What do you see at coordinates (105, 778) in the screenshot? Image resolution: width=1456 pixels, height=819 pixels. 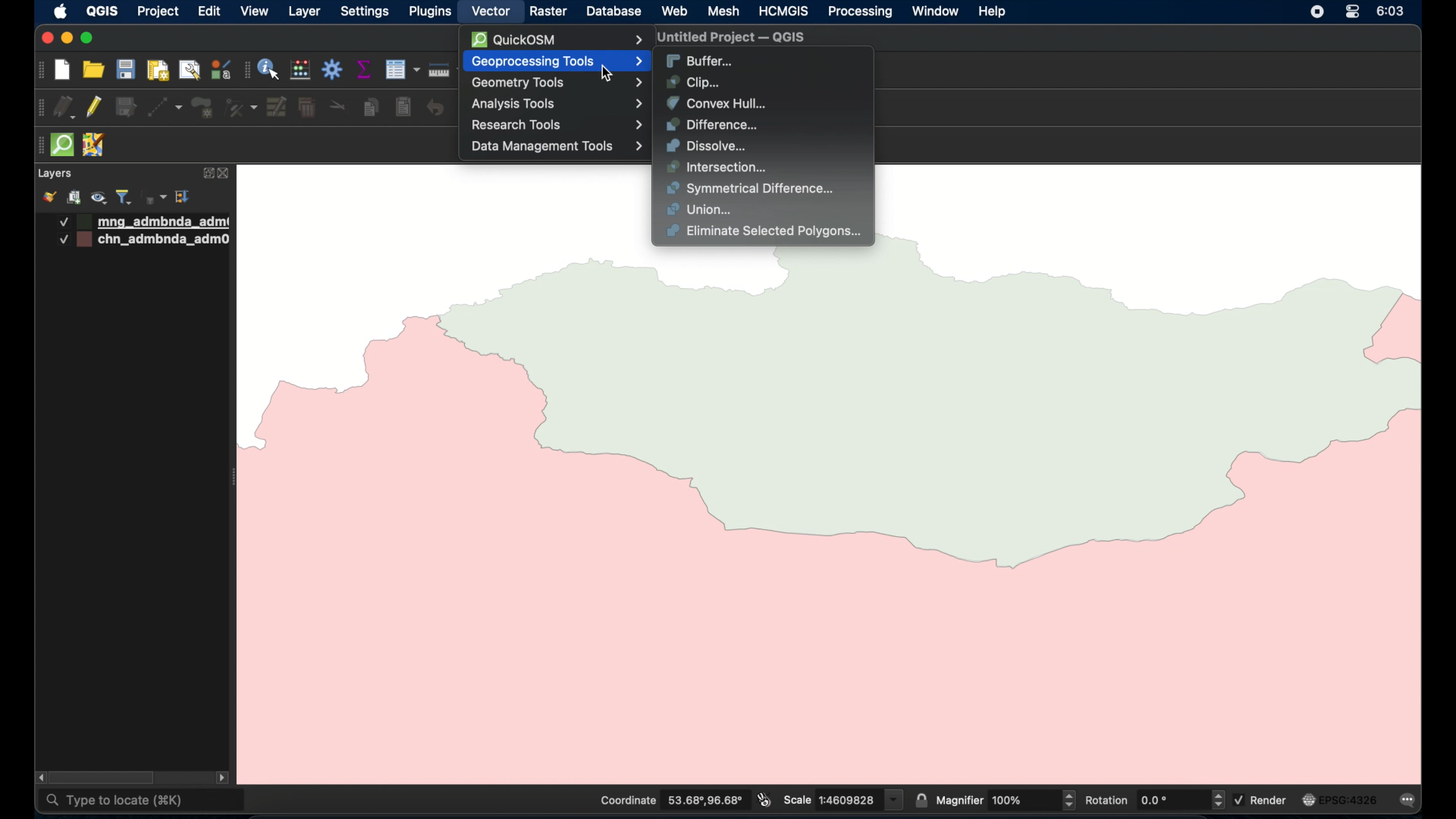 I see `scroll box` at bounding box center [105, 778].